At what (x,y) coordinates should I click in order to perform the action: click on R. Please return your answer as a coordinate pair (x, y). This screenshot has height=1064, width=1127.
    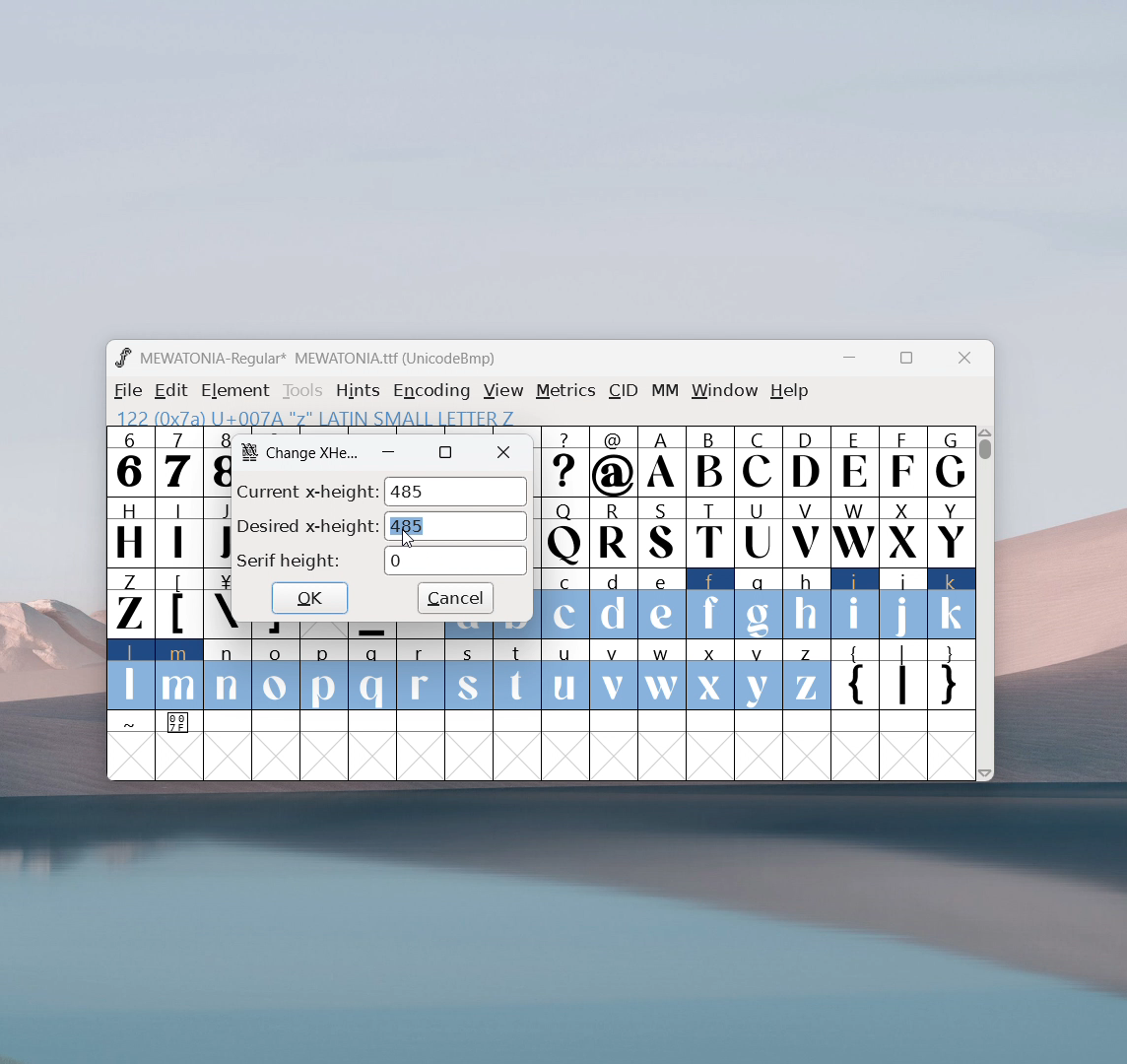
    Looking at the image, I should click on (613, 534).